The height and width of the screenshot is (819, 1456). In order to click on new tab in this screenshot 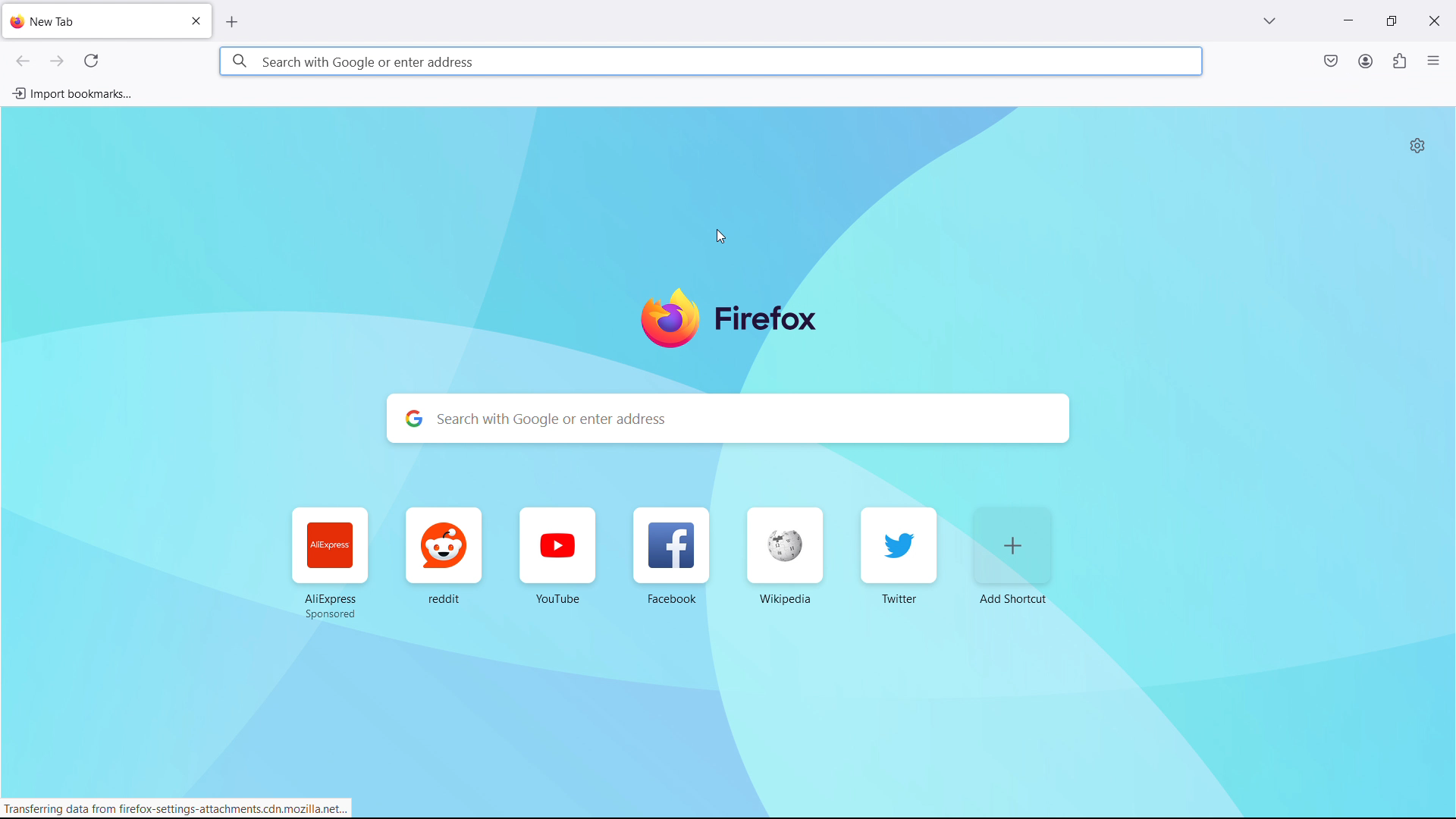, I will do `click(93, 21)`.